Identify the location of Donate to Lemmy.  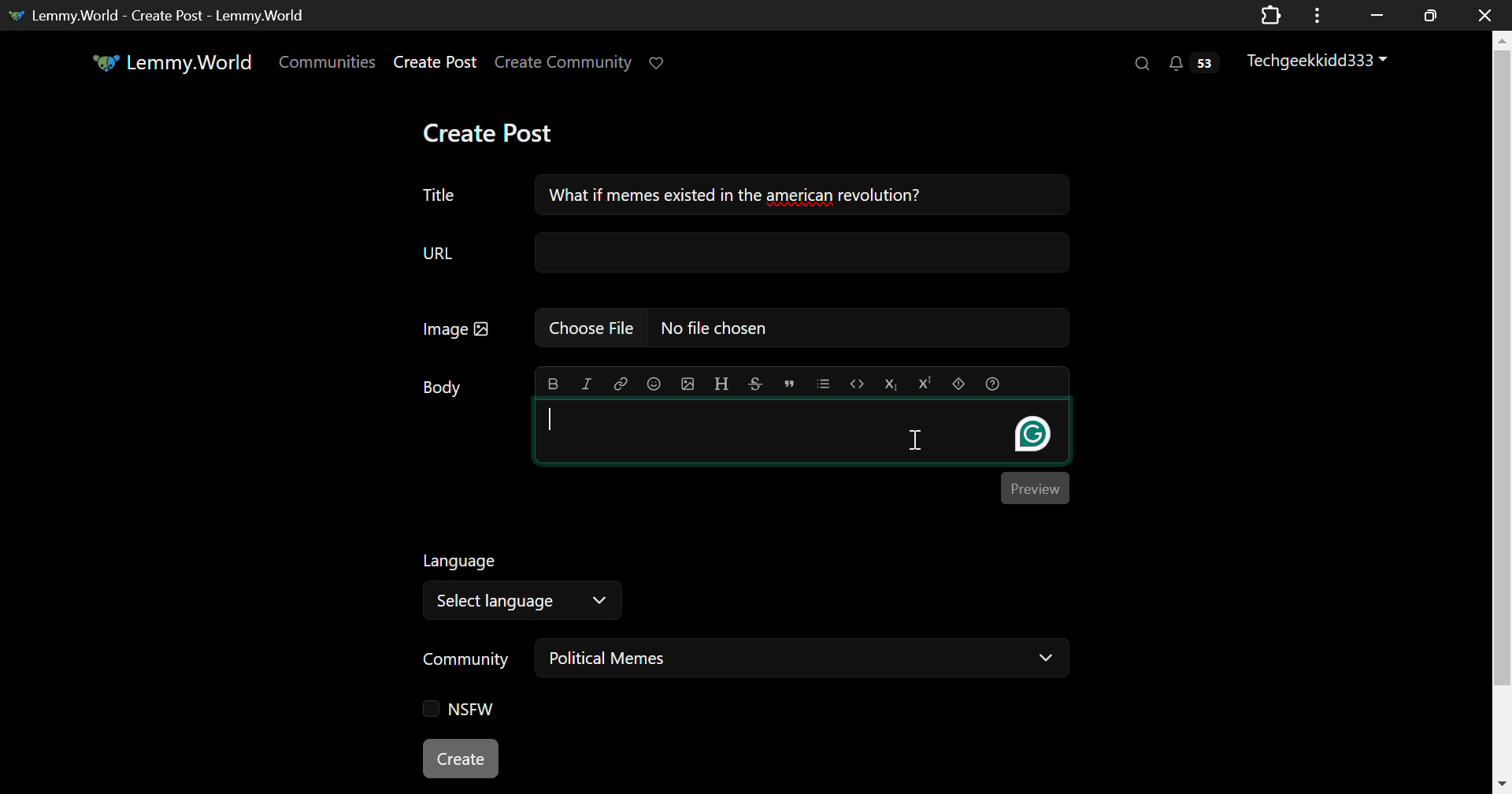
(660, 61).